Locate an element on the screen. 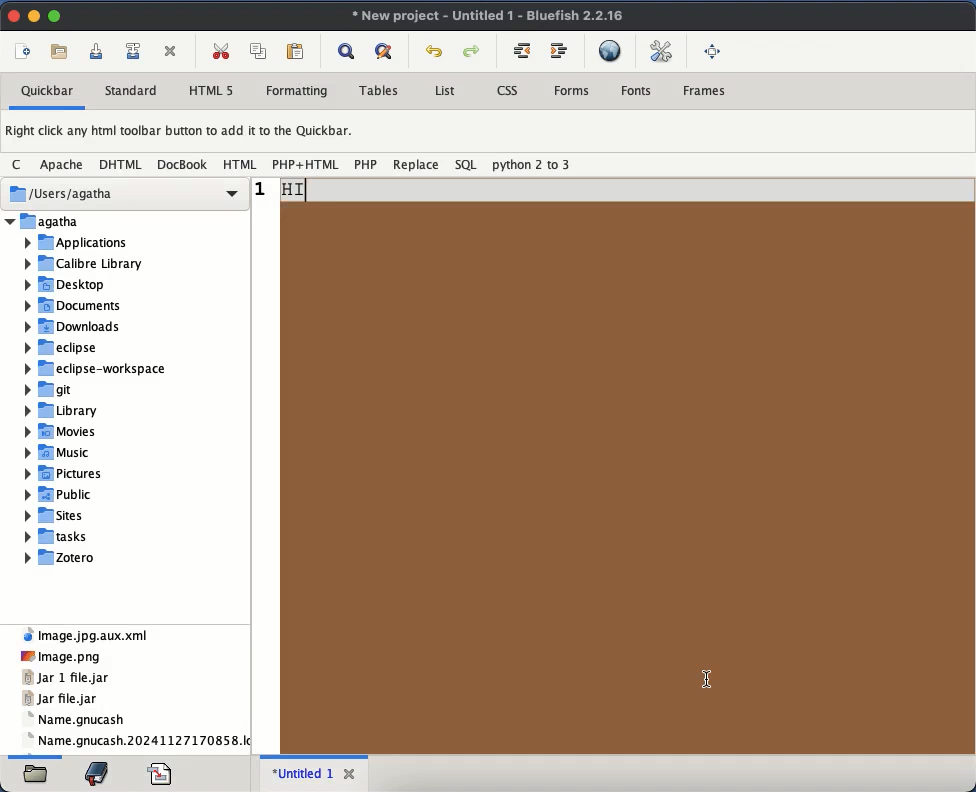 This screenshot has height=792, width=976. new file is located at coordinates (23, 51).